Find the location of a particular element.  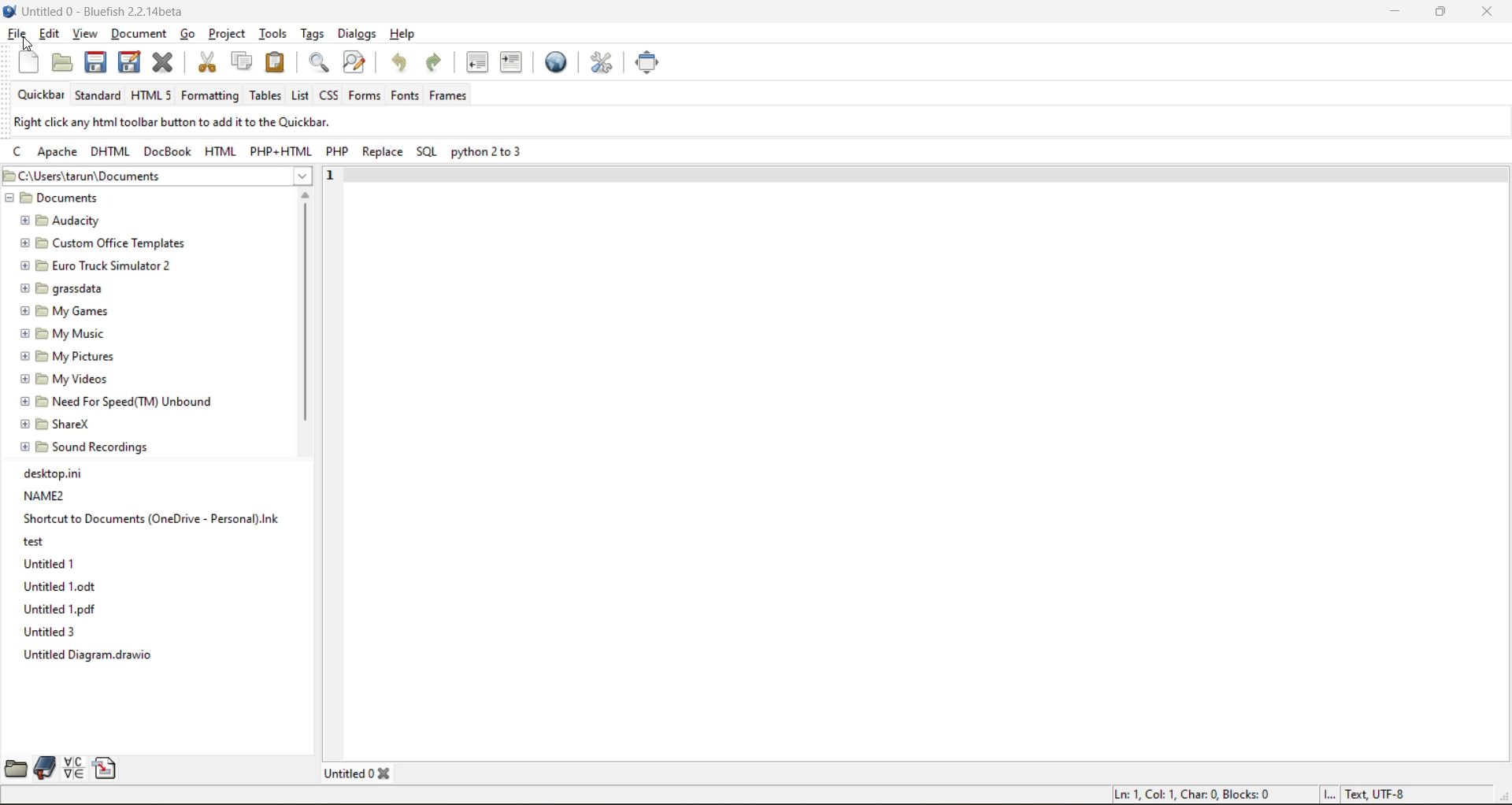

copy is located at coordinates (242, 62).